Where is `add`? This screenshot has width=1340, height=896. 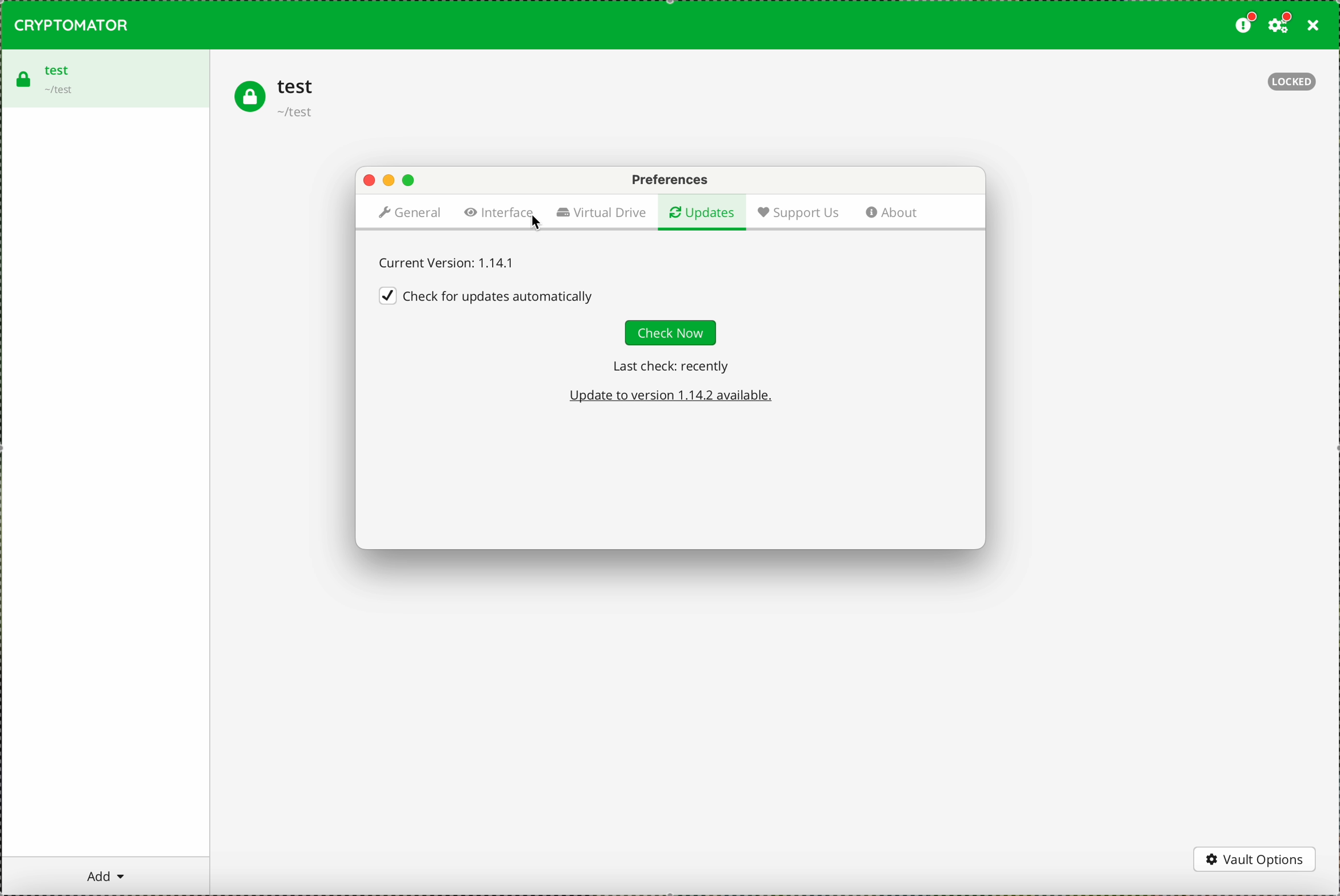
add is located at coordinates (106, 876).